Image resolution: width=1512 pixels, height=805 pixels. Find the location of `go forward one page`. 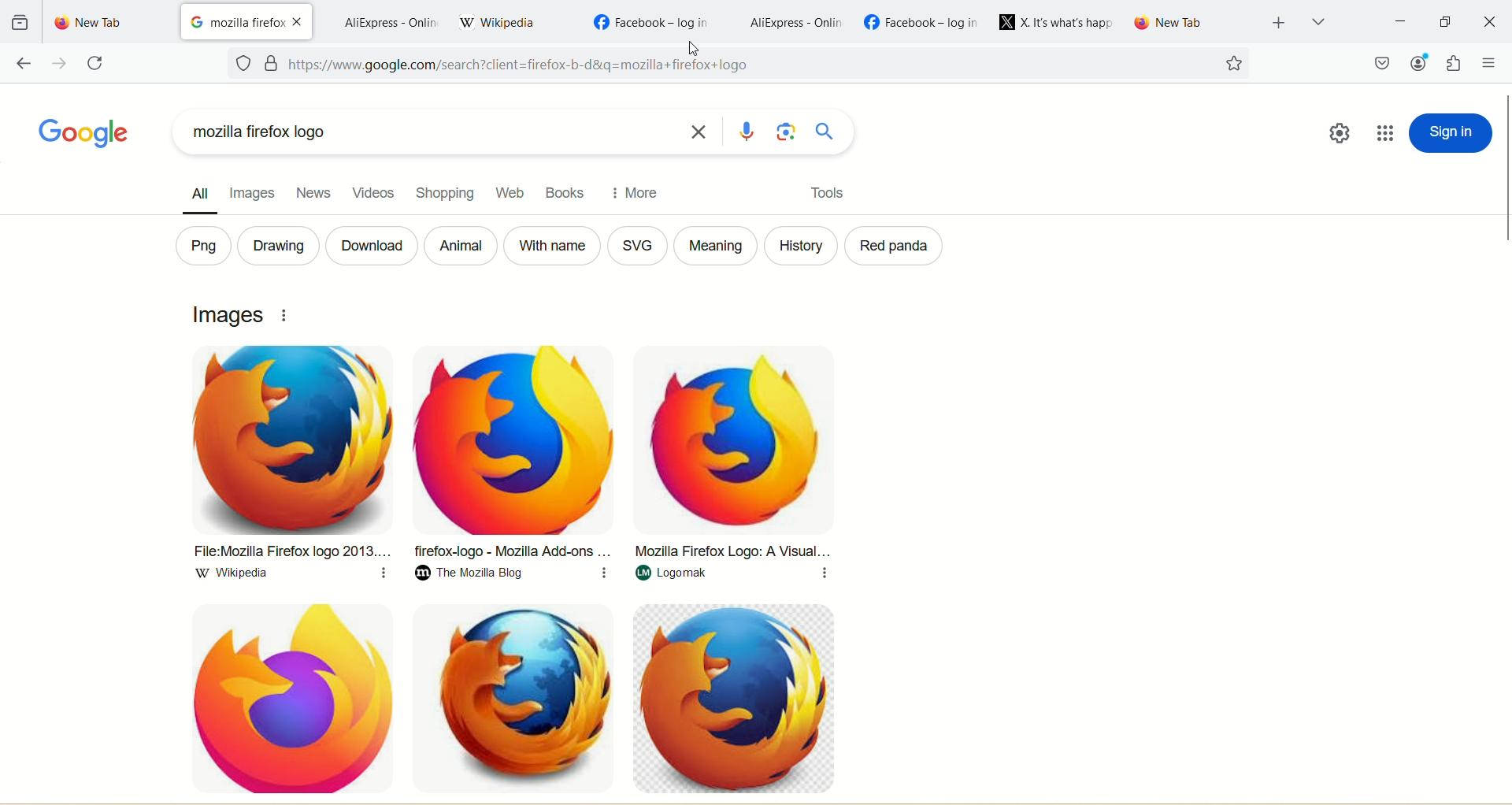

go forward one page is located at coordinates (58, 64).